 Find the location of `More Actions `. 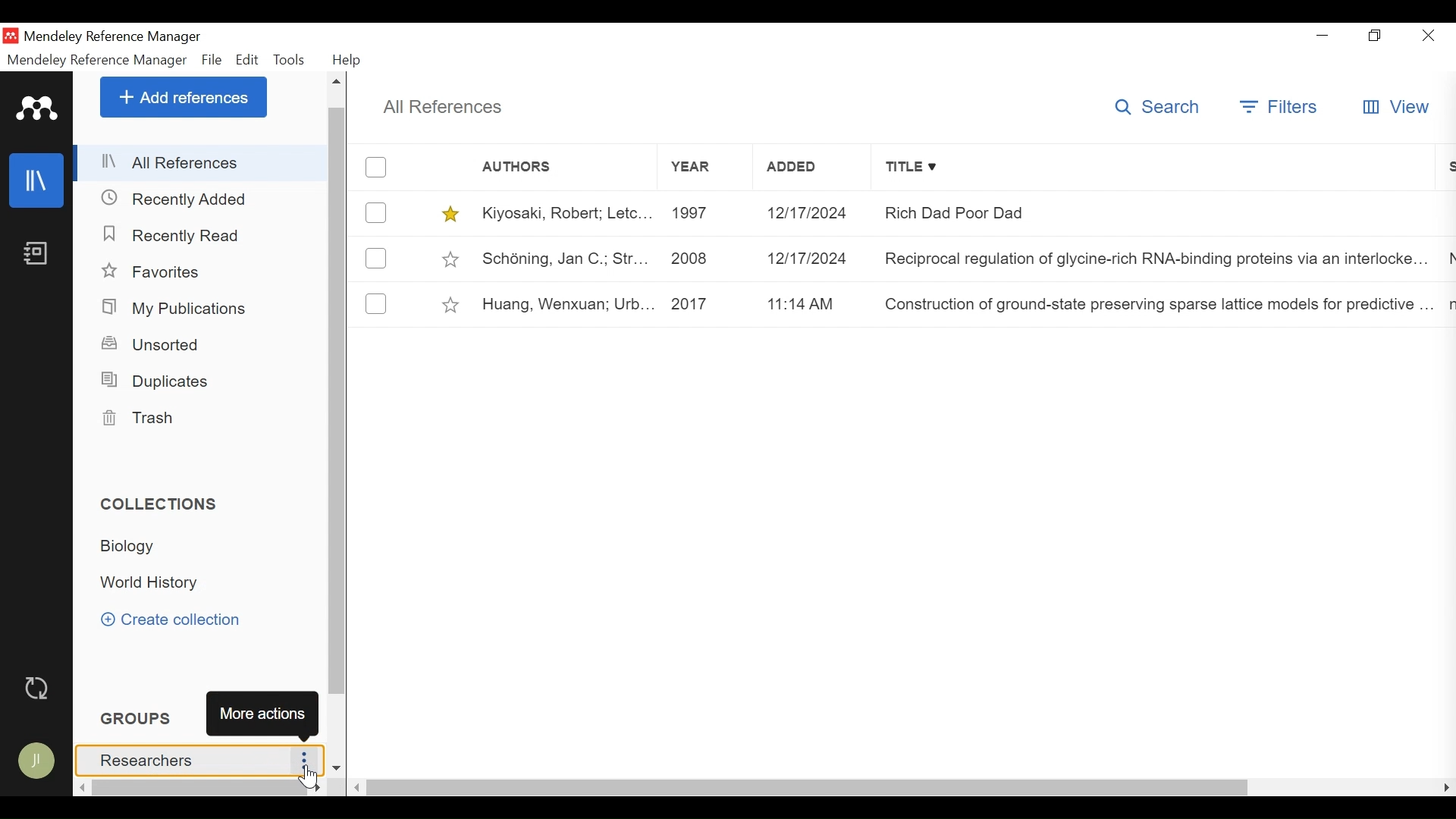

More Actions  is located at coordinates (263, 714).